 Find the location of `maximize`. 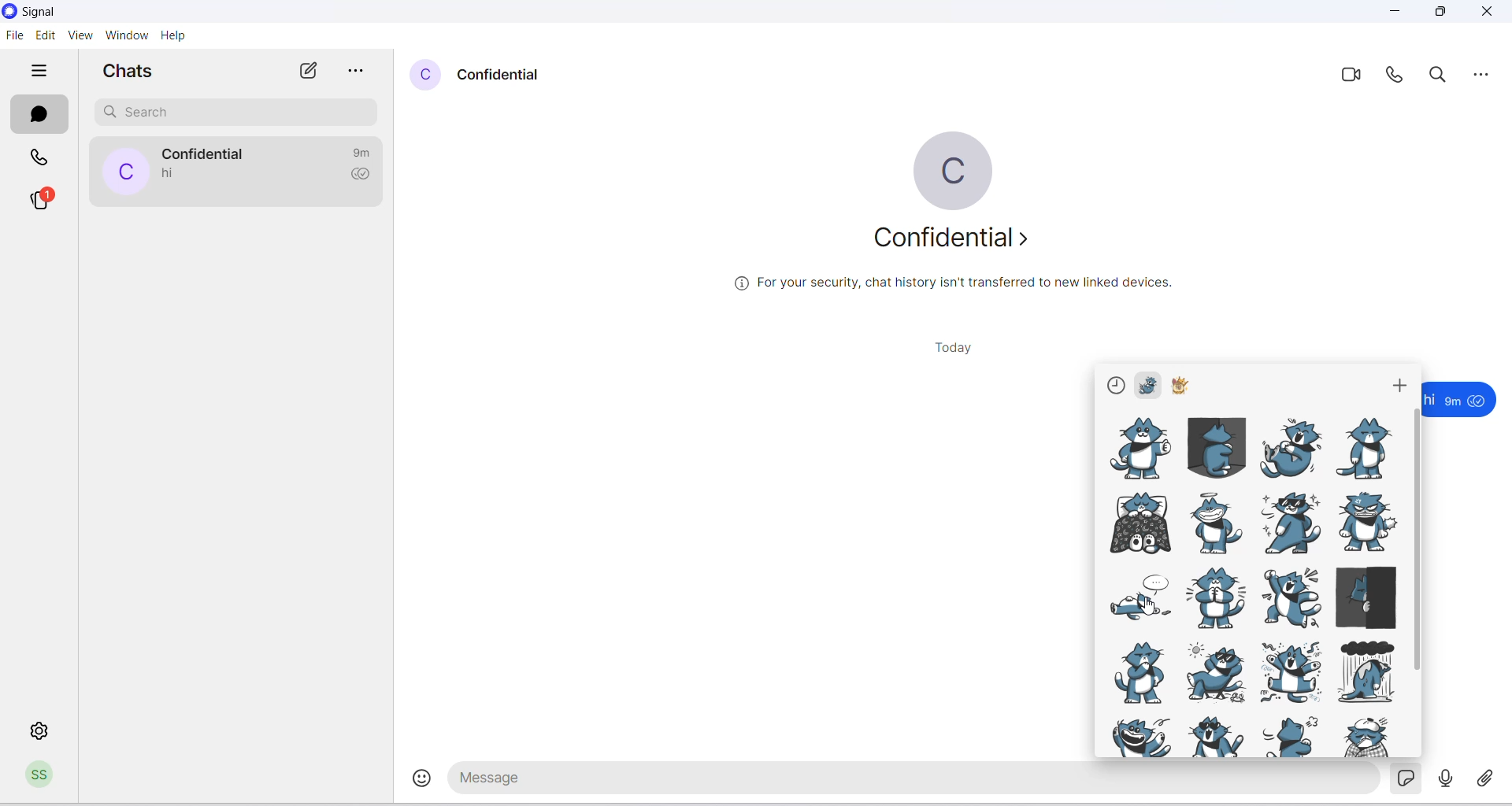

maximize is located at coordinates (1444, 14).